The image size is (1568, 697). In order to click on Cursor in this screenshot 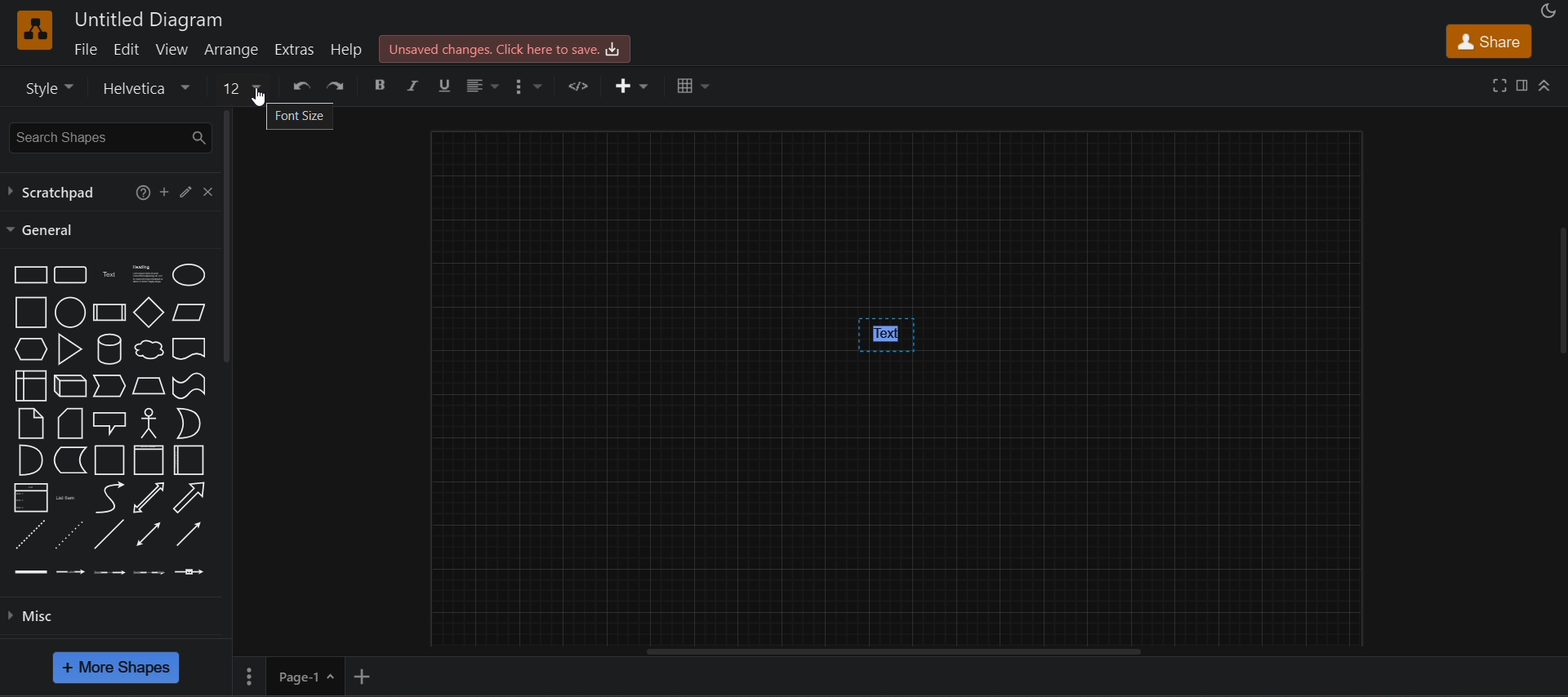, I will do `click(258, 97)`.